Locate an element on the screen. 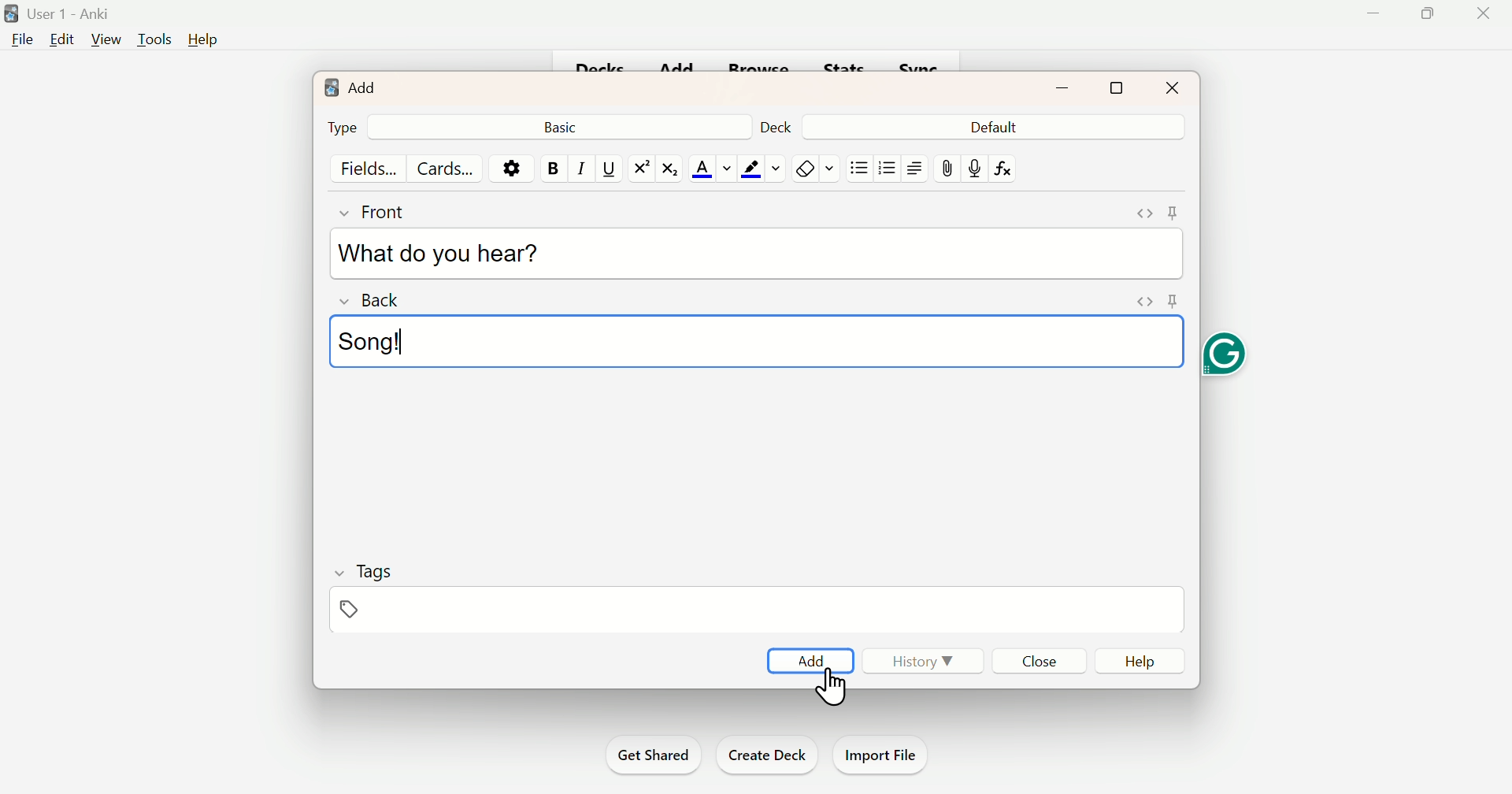 This screenshot has width=1512, height=794. Close is located at coordinates (1036, 660).